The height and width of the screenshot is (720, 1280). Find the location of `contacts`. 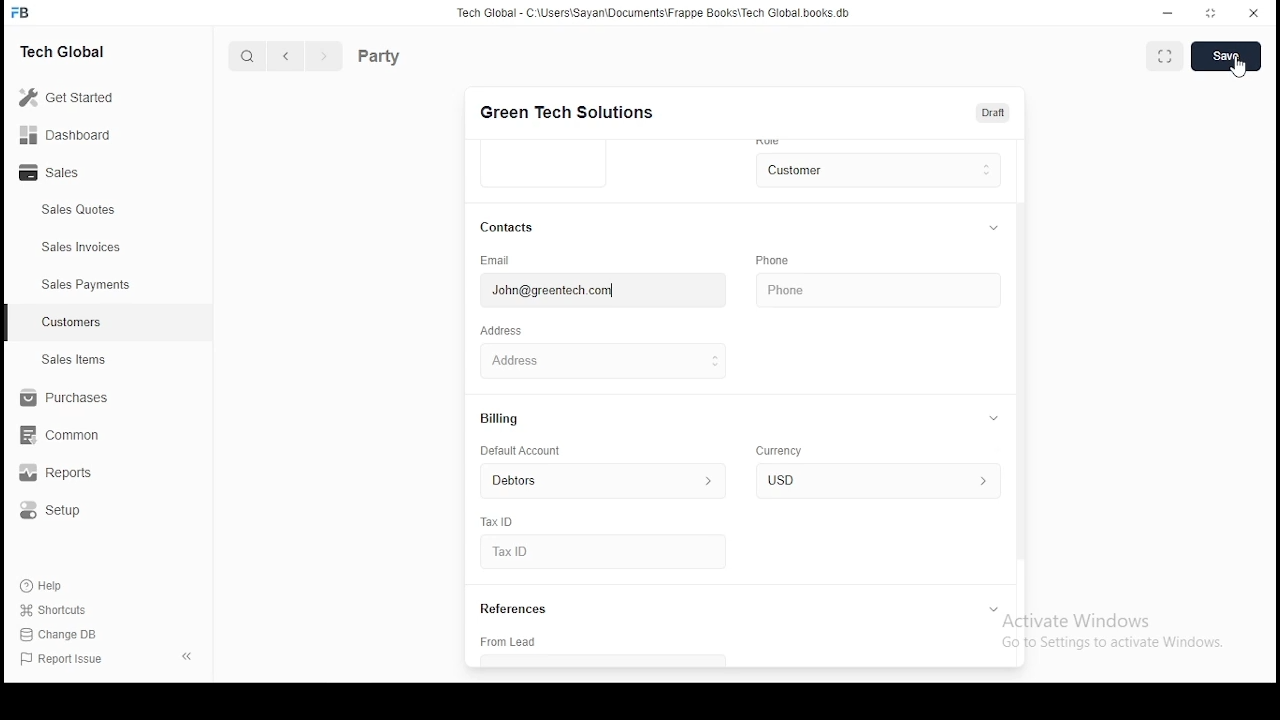

contacts is located at coordinates (508, 227).